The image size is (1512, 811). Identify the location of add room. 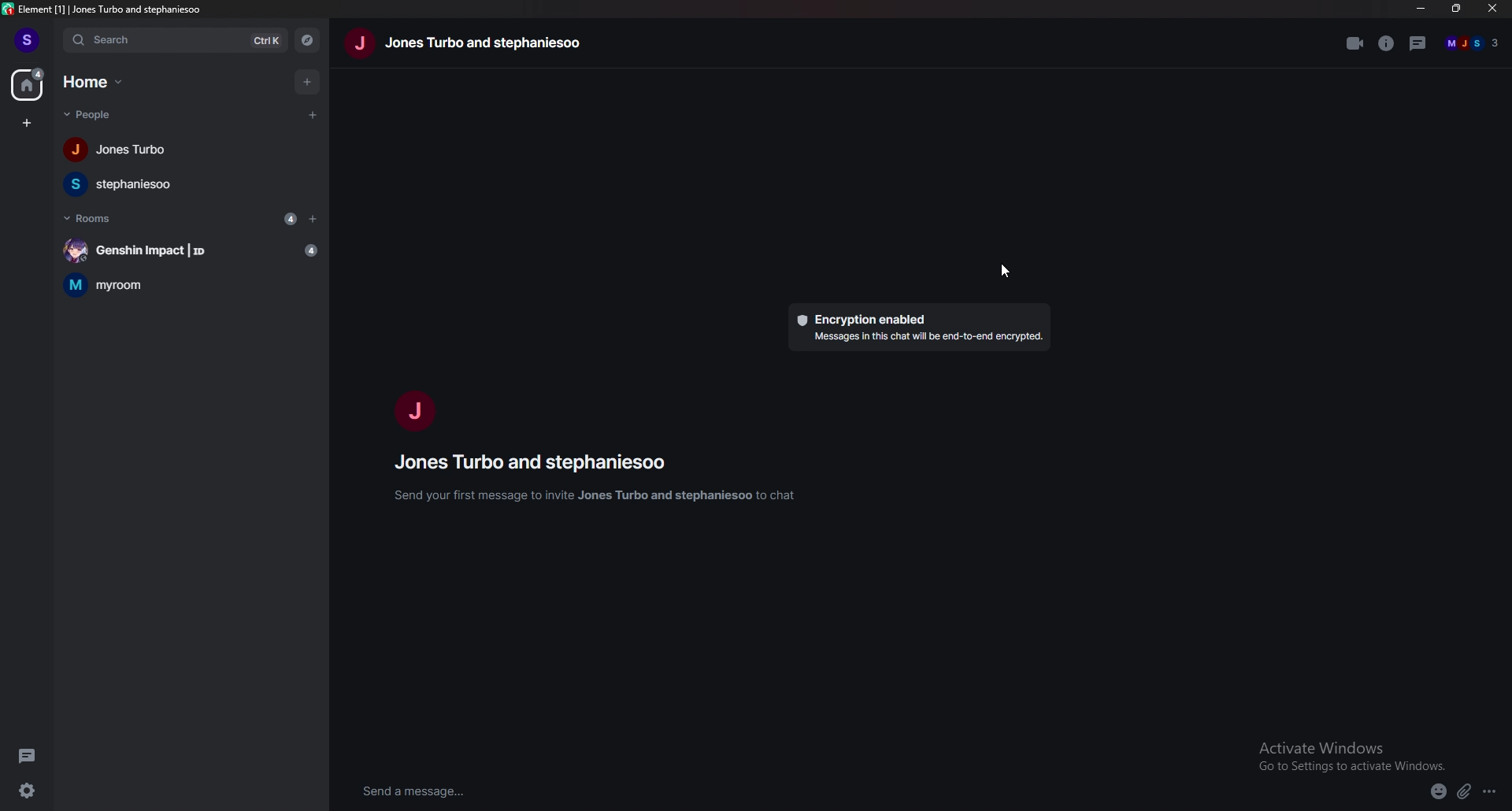
(313, 219).